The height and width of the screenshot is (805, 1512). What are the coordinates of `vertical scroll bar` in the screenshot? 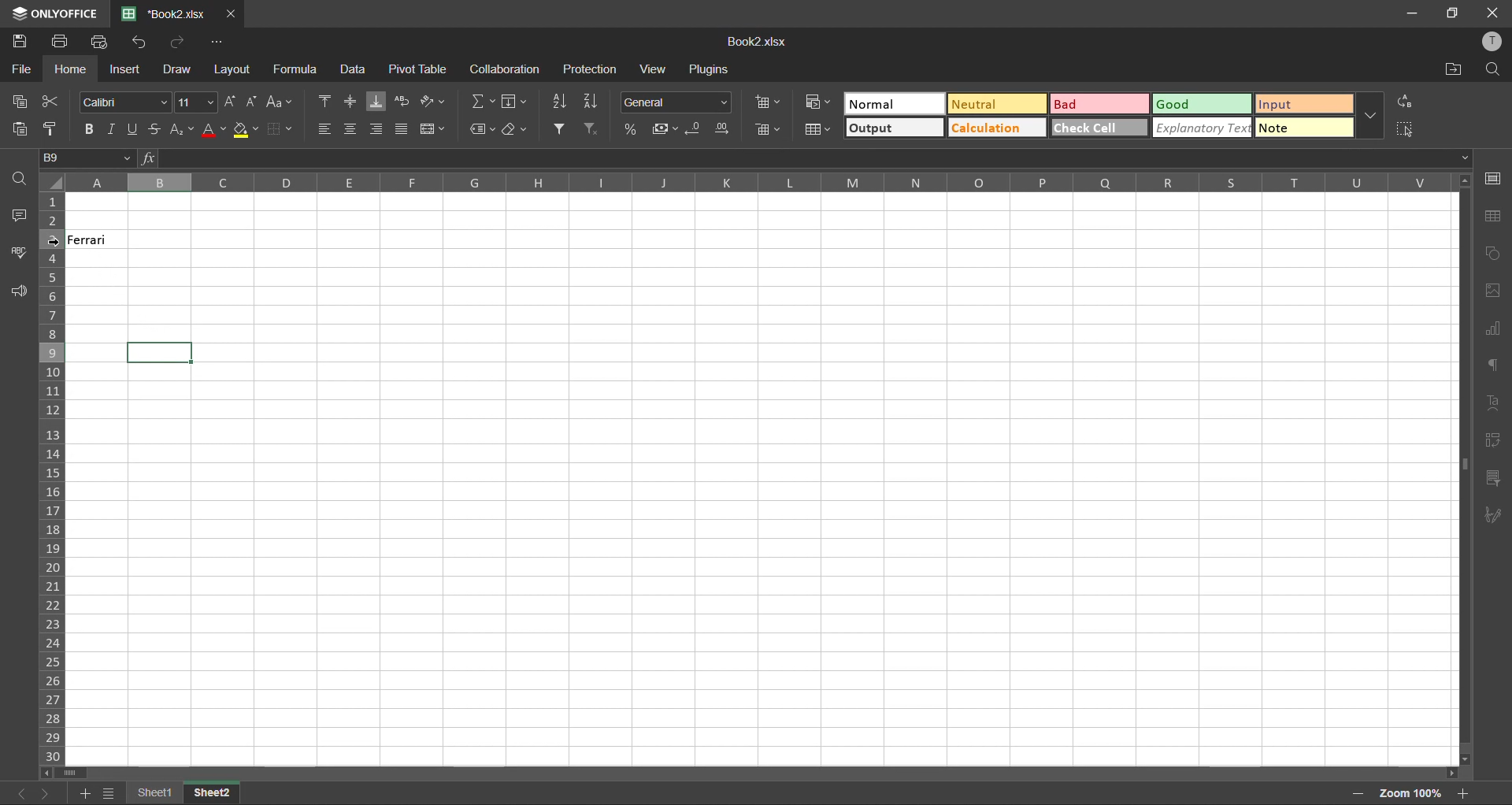 It's located at (1462, 353).